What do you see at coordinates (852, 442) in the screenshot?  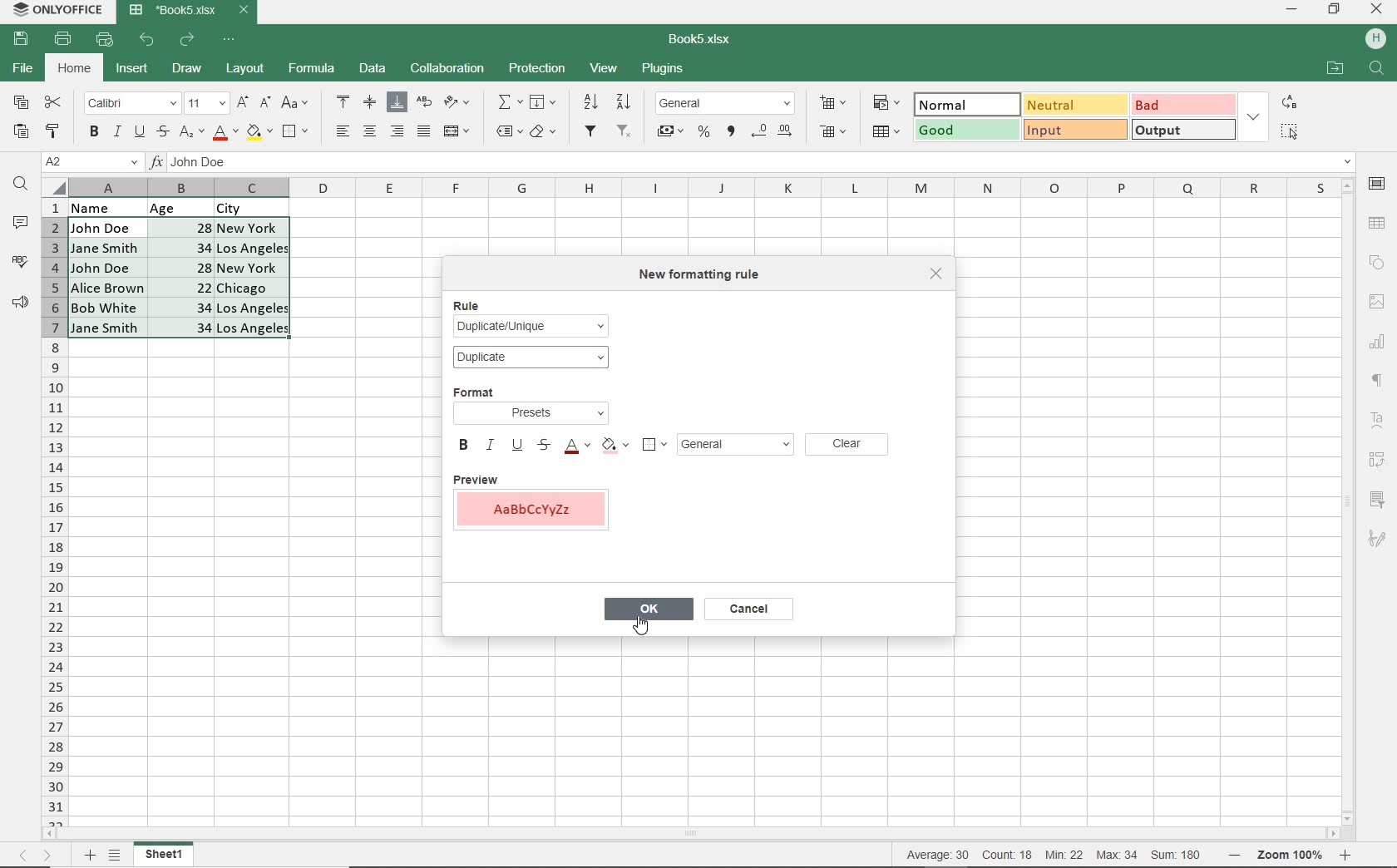 I see `CLEAR` at bounding box center [852, 442].